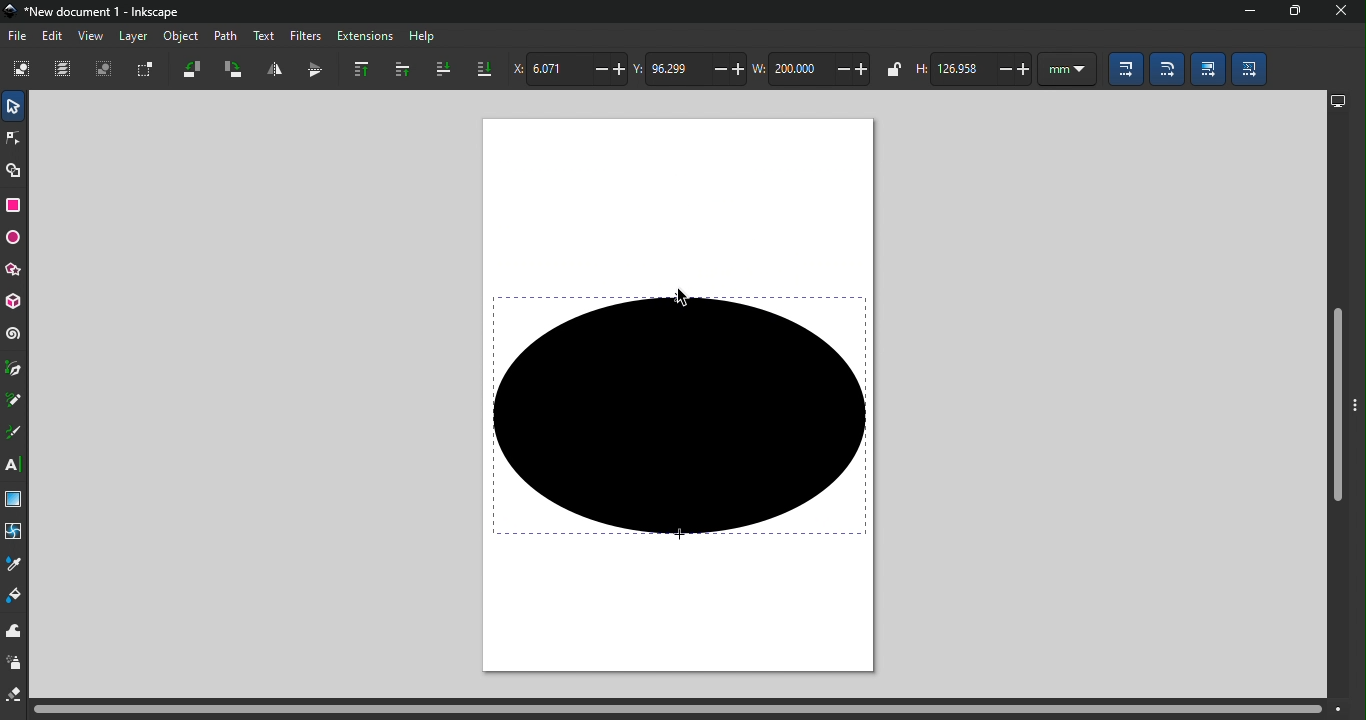 The height and width of the screenshot is (720, 1366). Describe the element at coordinates (105, 71) in the screenshot. I see `Deselect all selected objects` at that location.